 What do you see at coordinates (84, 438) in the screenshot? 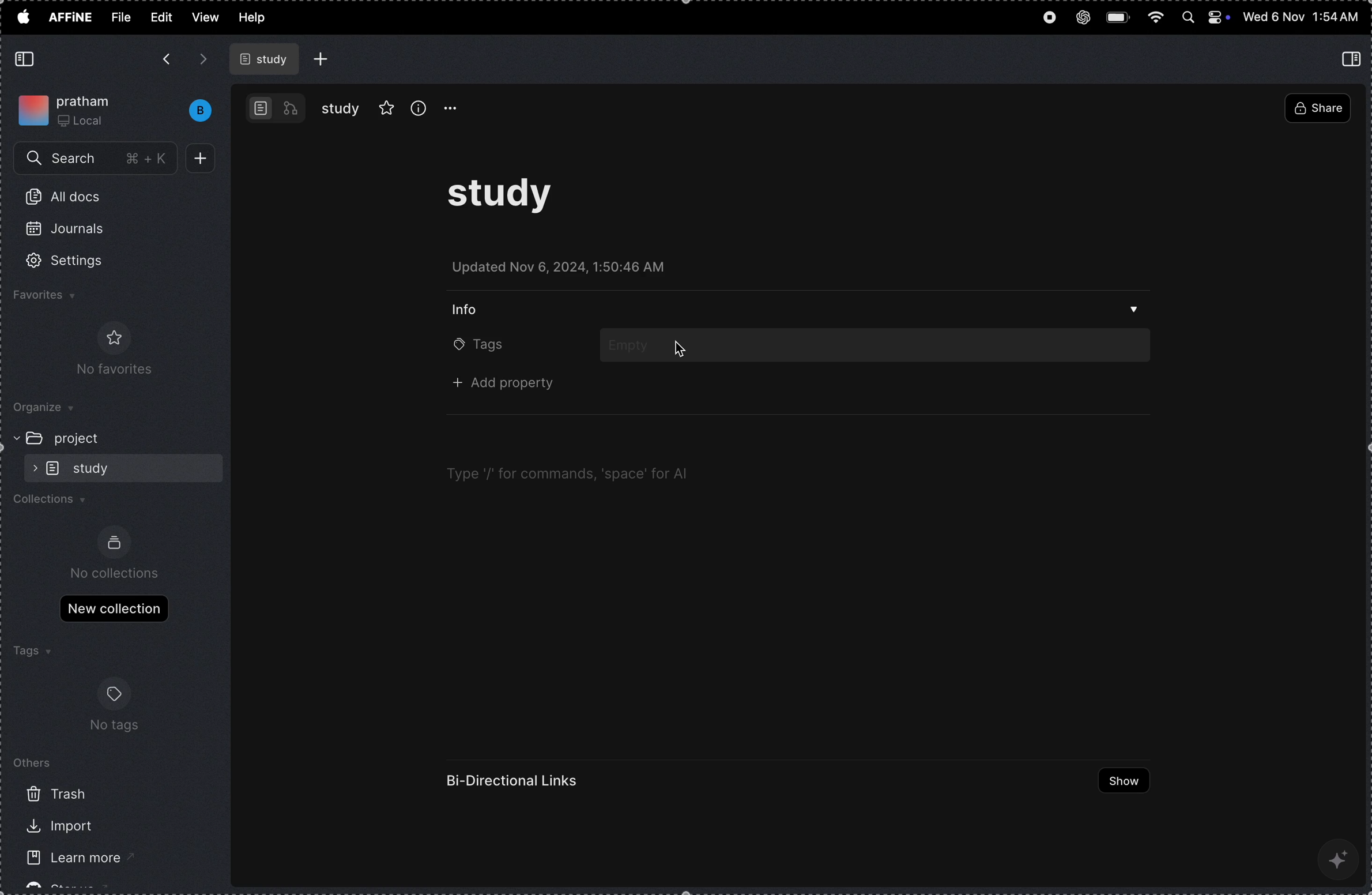
I see `project` at bounding box center [84, 438].